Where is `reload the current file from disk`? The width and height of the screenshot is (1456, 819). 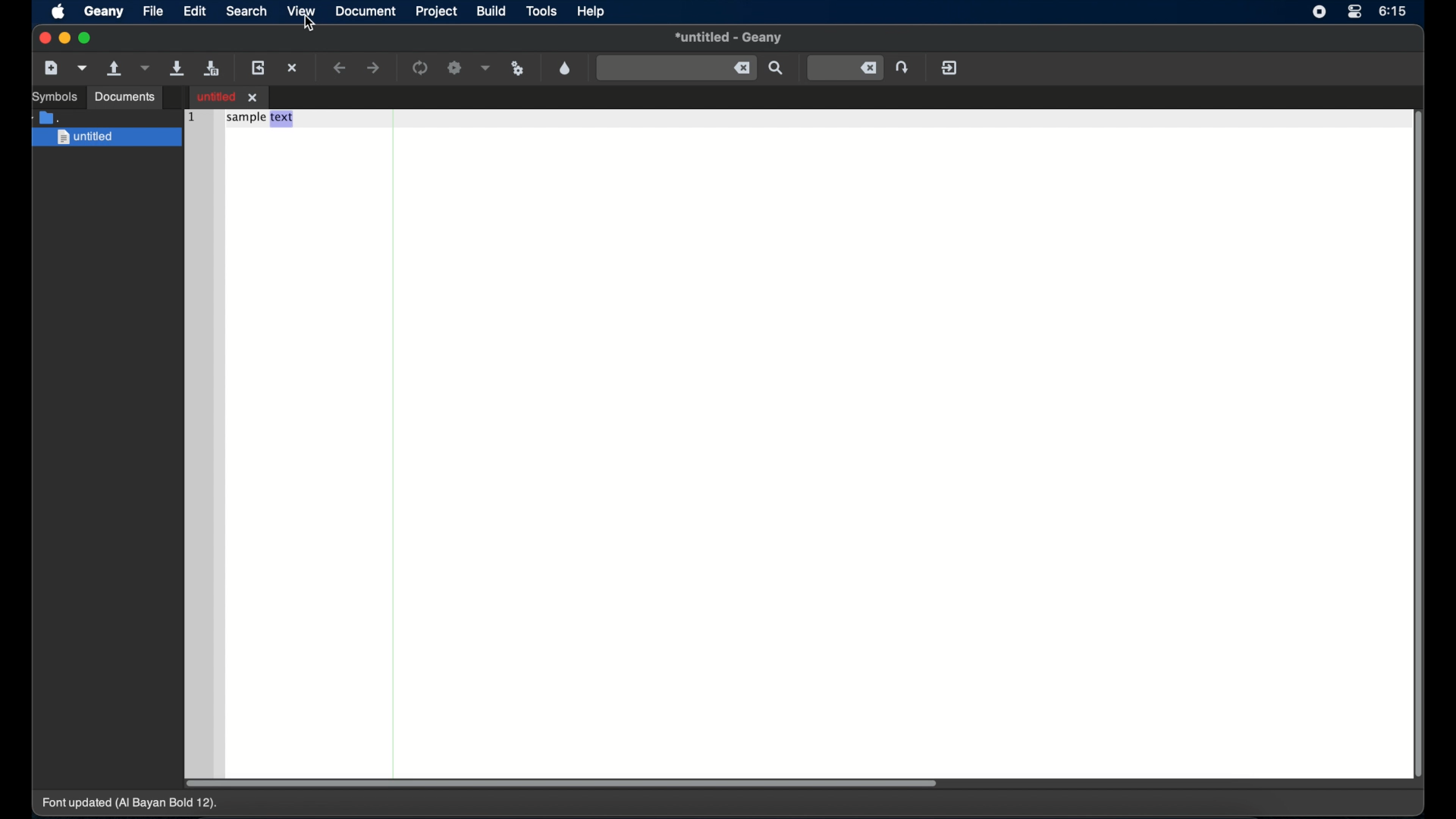 reload the current file from disk is located at coordinates (260, 67).